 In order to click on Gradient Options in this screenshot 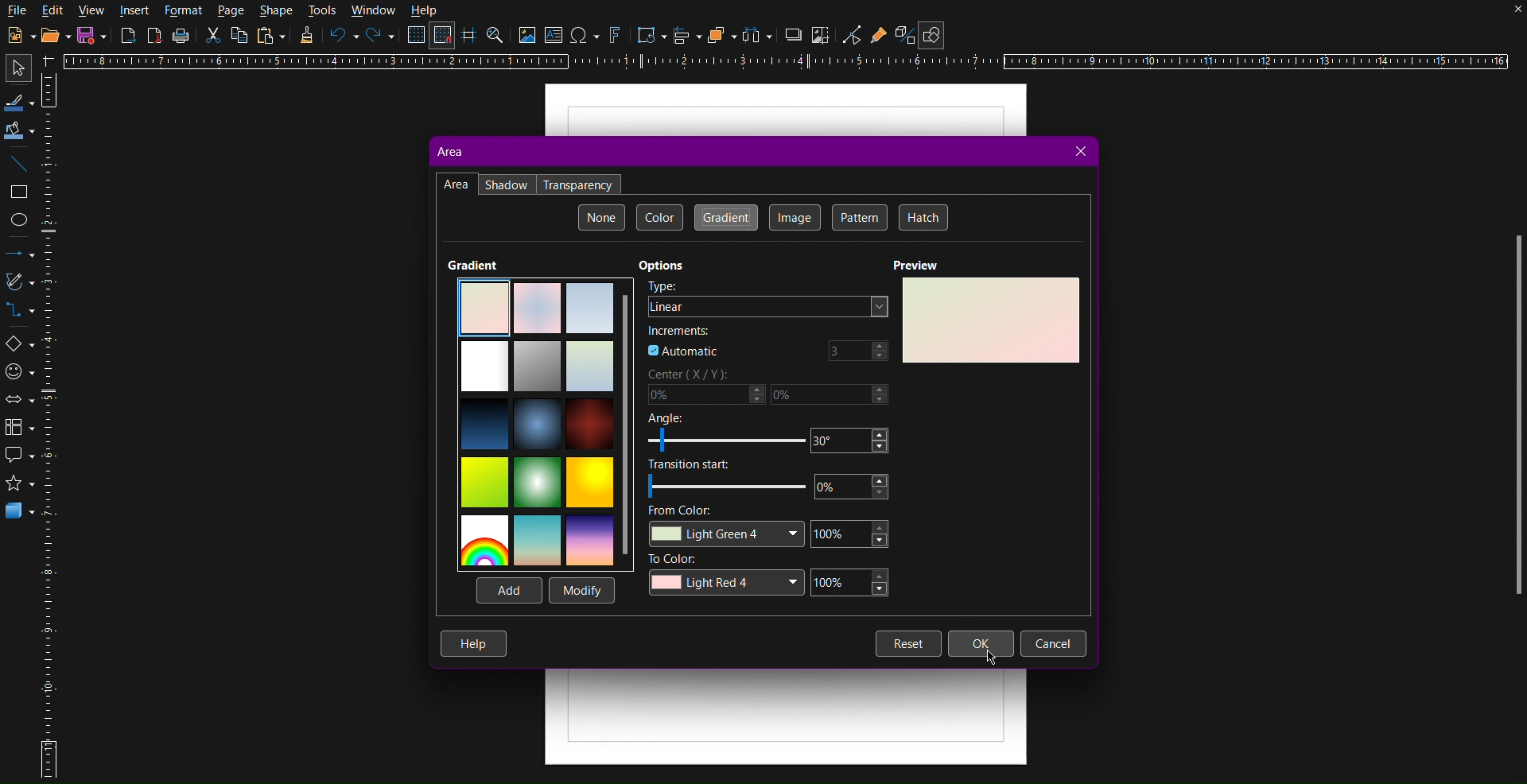, I will do `click(544, 424)`.